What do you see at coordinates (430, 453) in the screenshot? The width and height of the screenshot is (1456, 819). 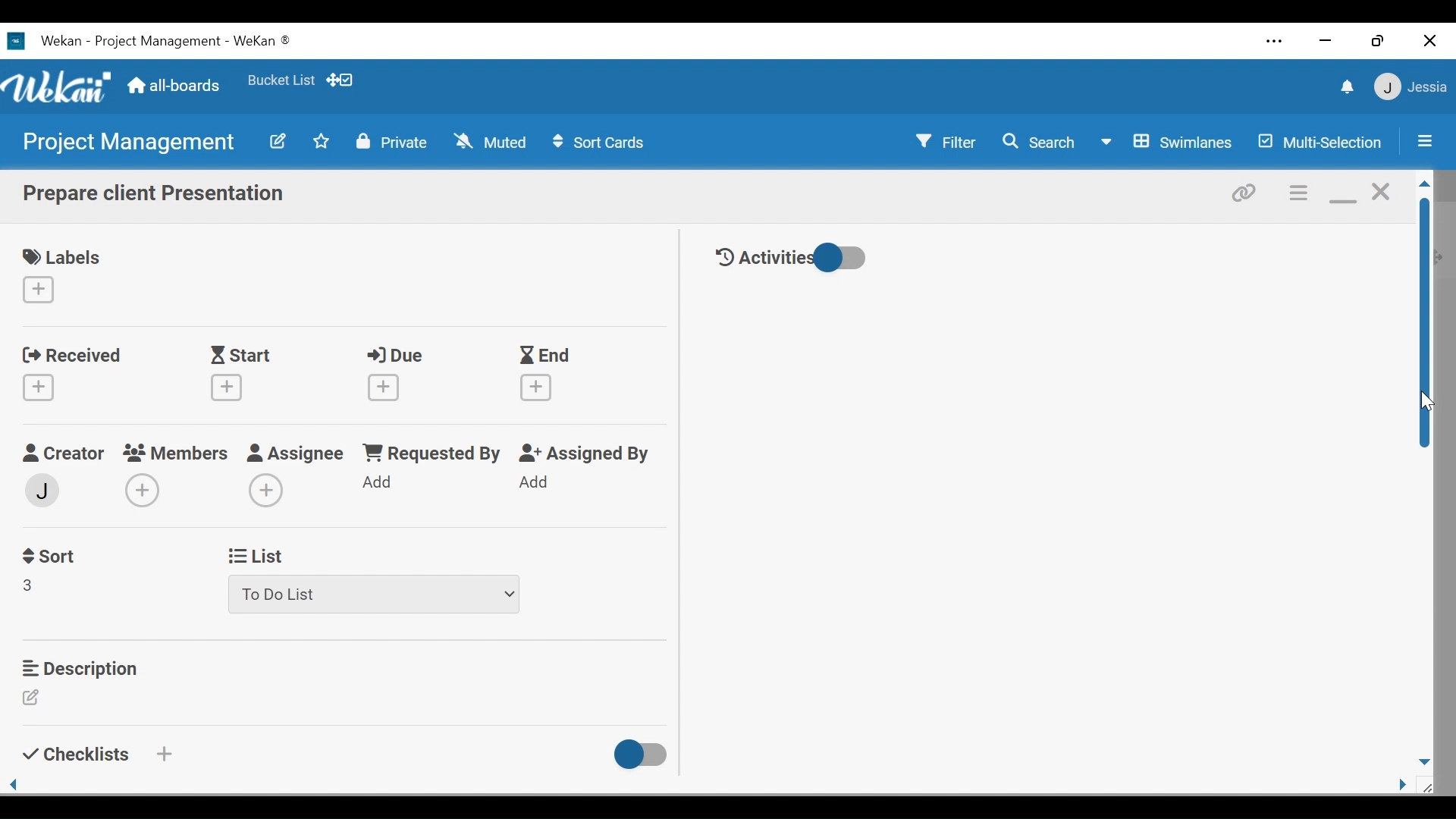 I see `Requested by` at bounding box center [430, 453].